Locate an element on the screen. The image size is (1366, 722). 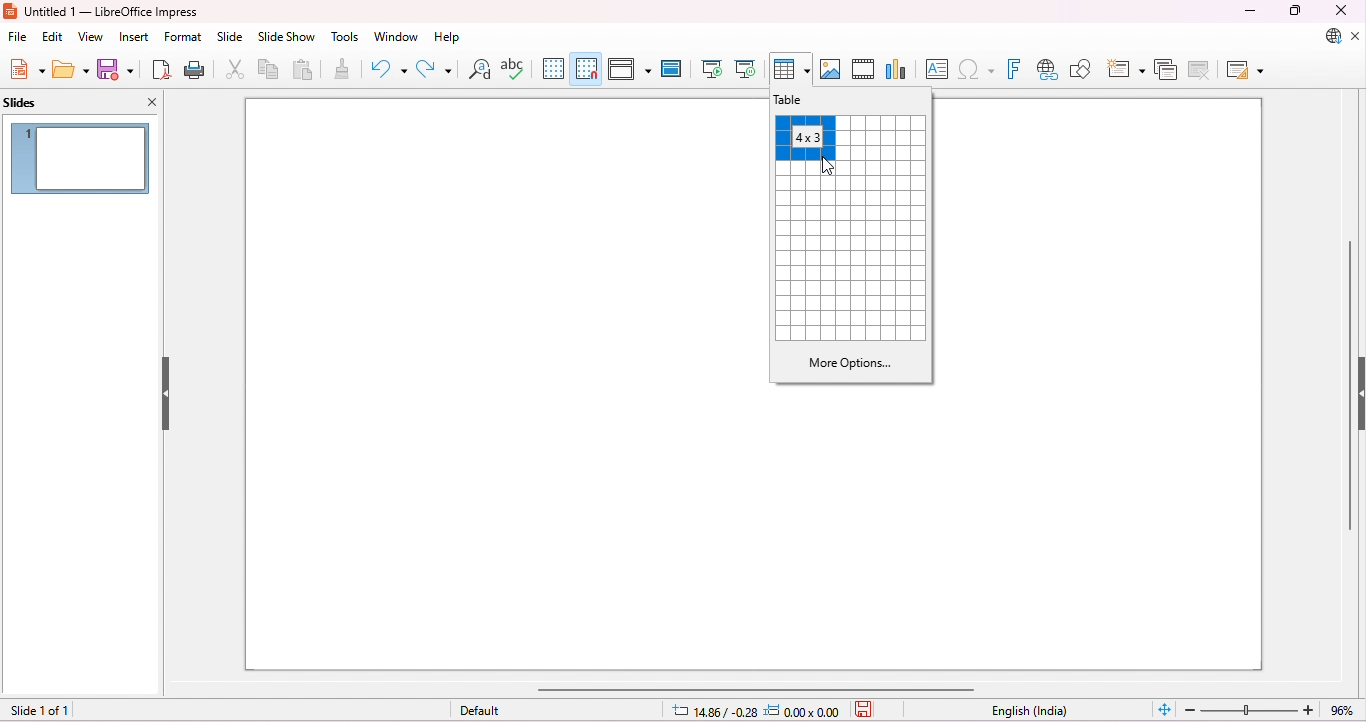
new slide is located at coordinates (1127, 67).